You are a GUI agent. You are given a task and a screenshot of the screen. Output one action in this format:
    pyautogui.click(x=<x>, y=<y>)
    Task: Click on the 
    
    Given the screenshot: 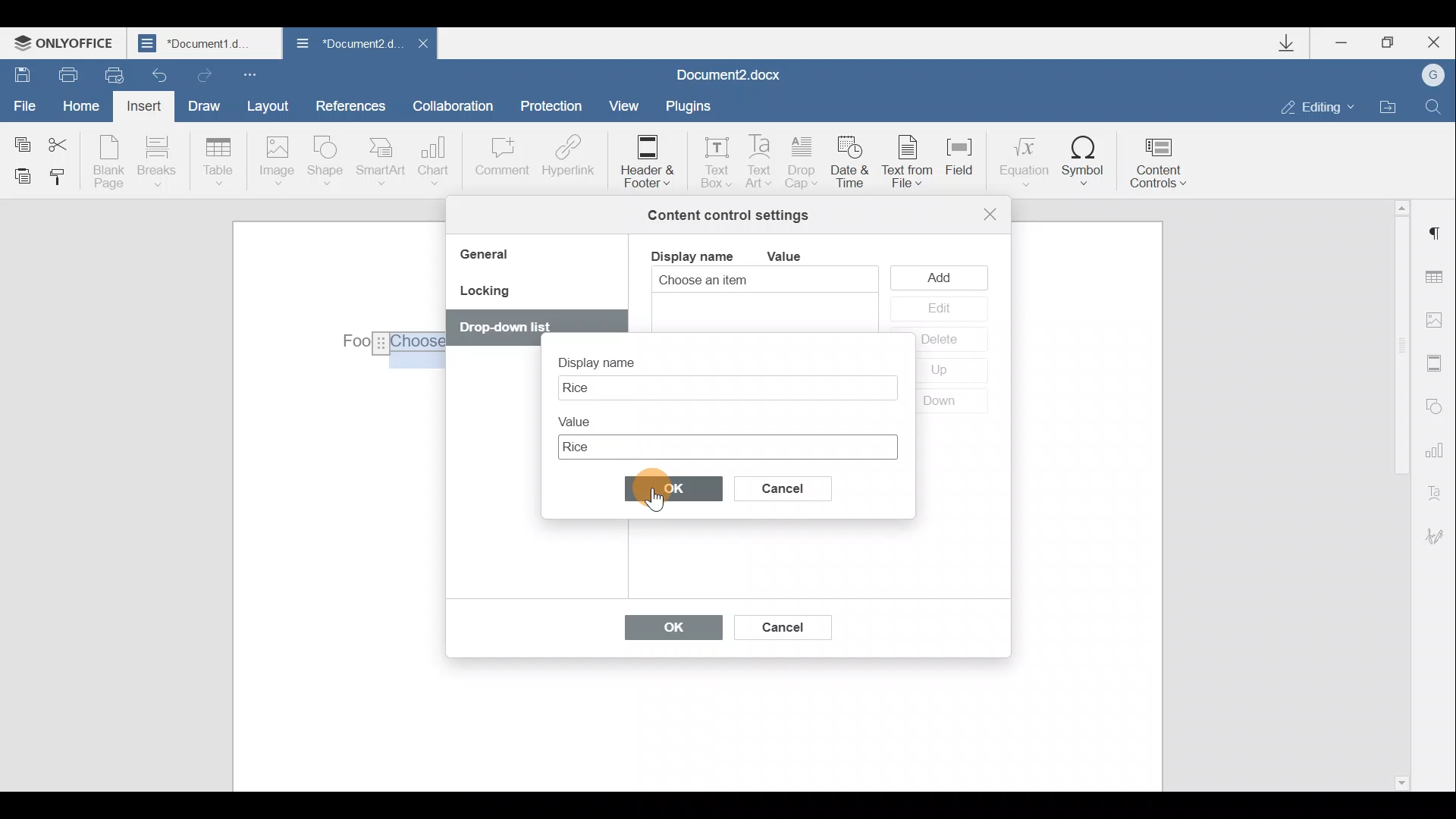 What is the action you would take?
    pyautogui.click(x=386, y=340)
    